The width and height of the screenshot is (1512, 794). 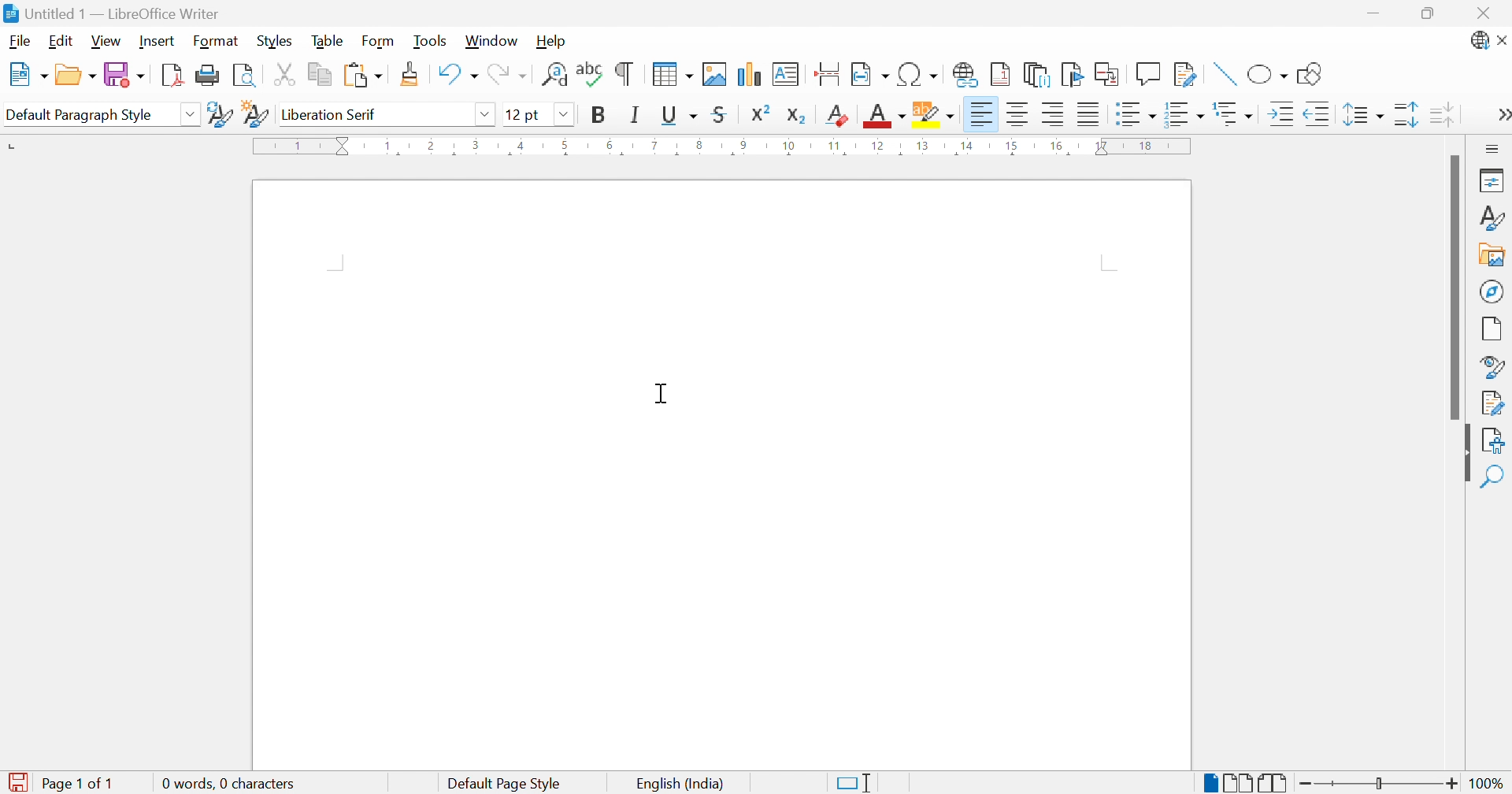 What do you see at coordinates (1360, 115) in the screenshot?
I see `Set line spacing` at bounding box center [1360, 115].